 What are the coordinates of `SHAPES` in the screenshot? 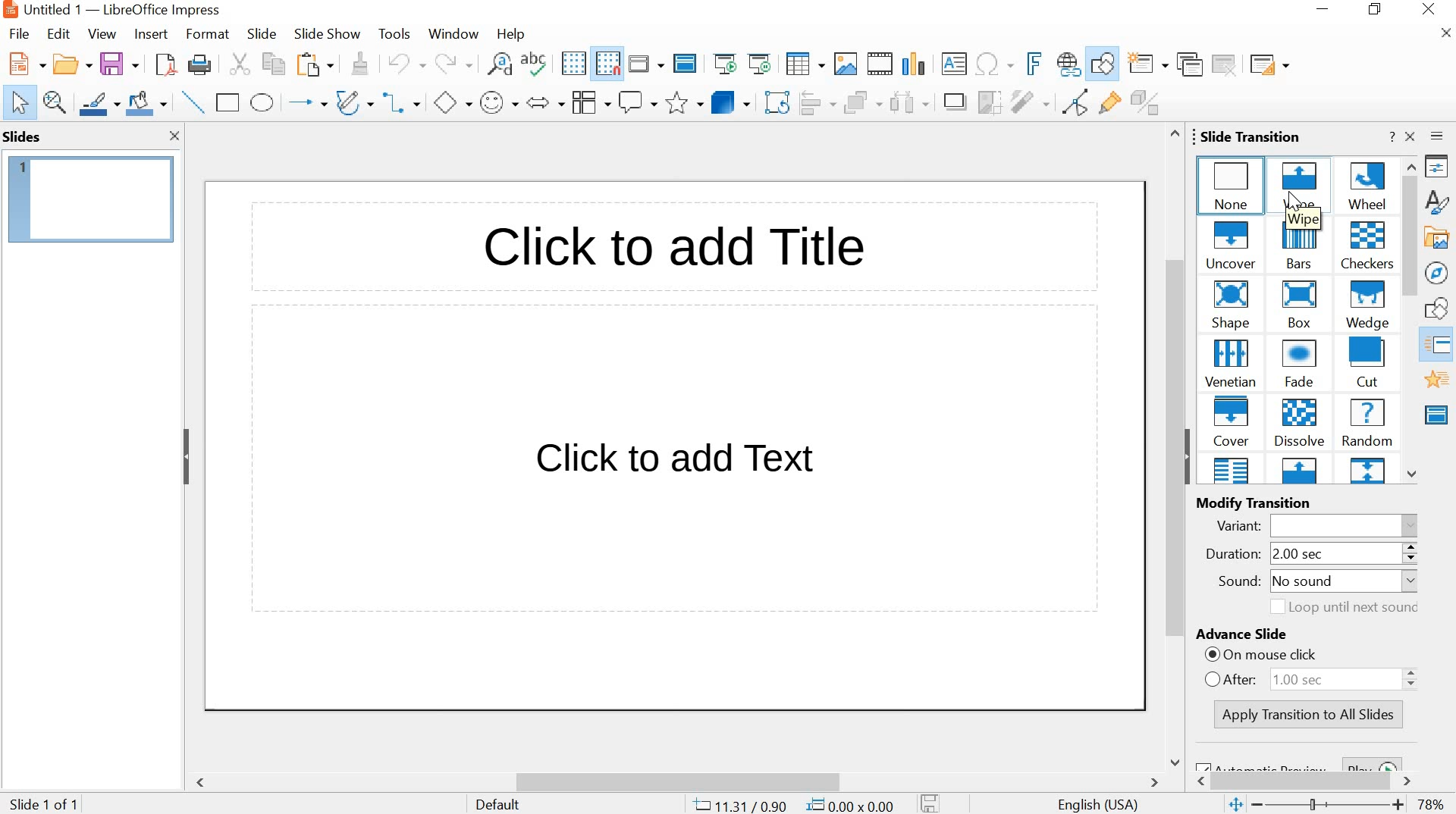 It's located at (1439, 308).